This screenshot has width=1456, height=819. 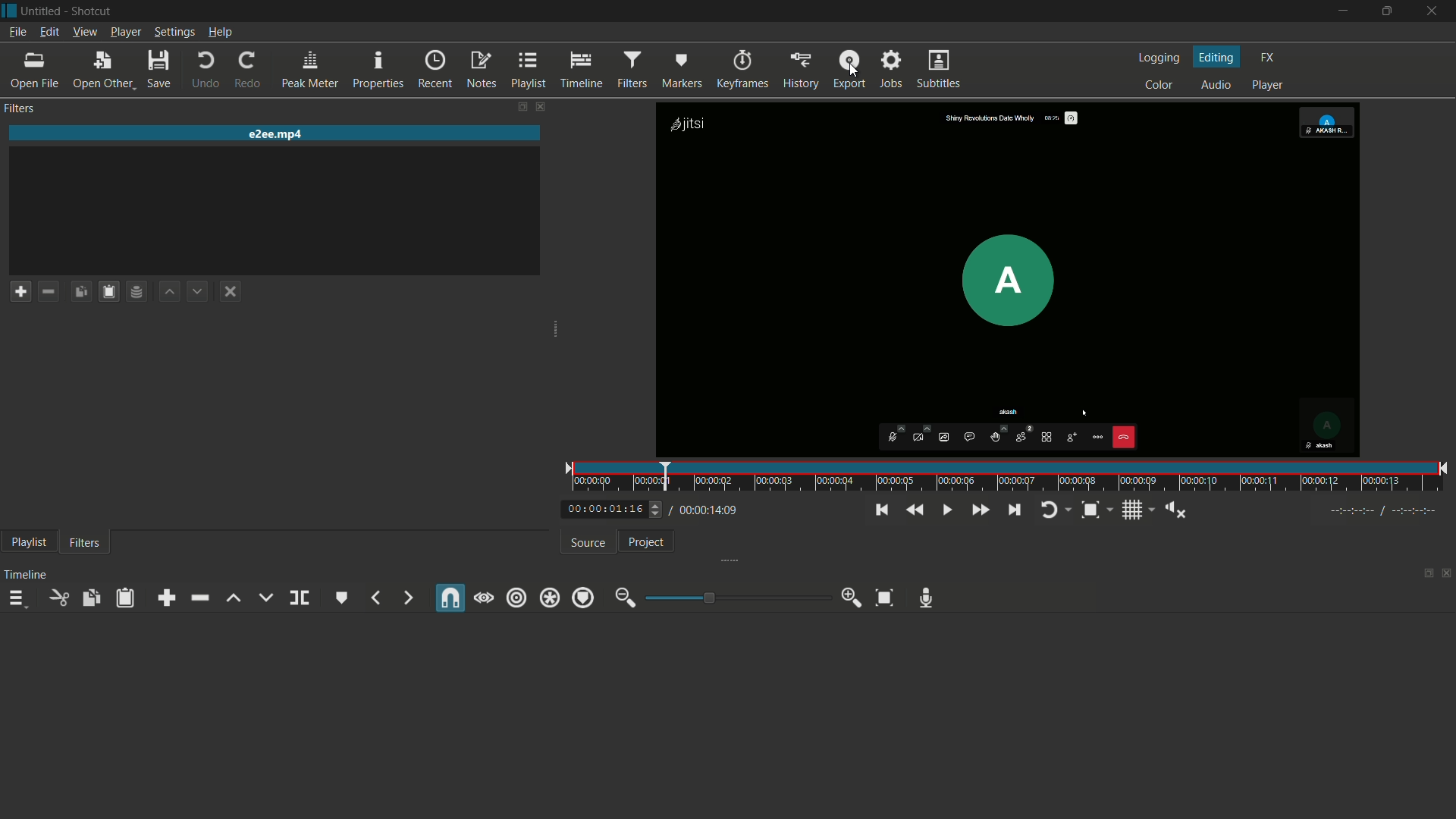 What do you see at coordinates (1090, 510) in the screenshot?
I see `toggle zoom` at bounding box center [1090, 510].